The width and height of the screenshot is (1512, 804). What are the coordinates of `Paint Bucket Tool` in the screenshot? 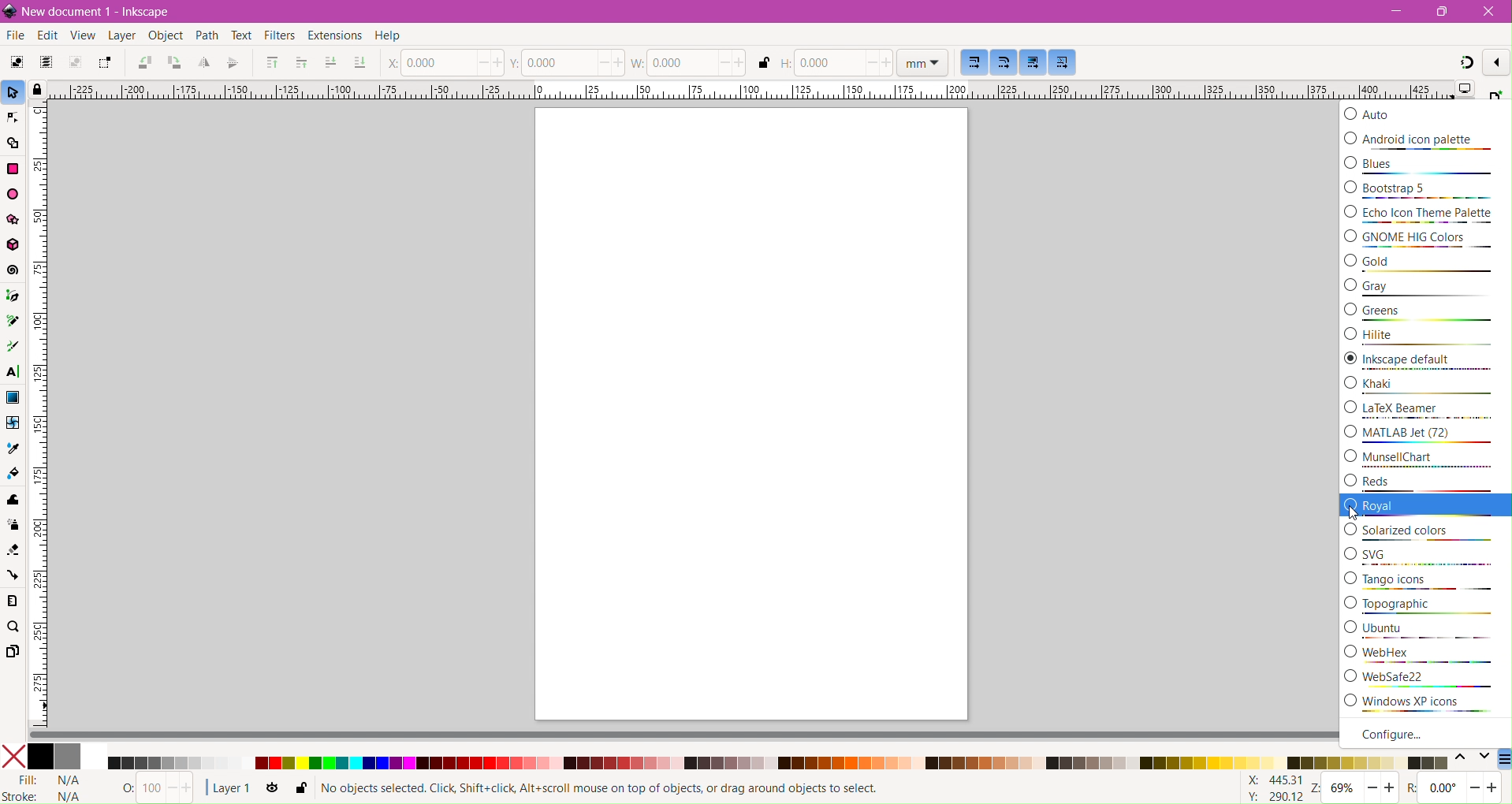 It's located at (13, 473).